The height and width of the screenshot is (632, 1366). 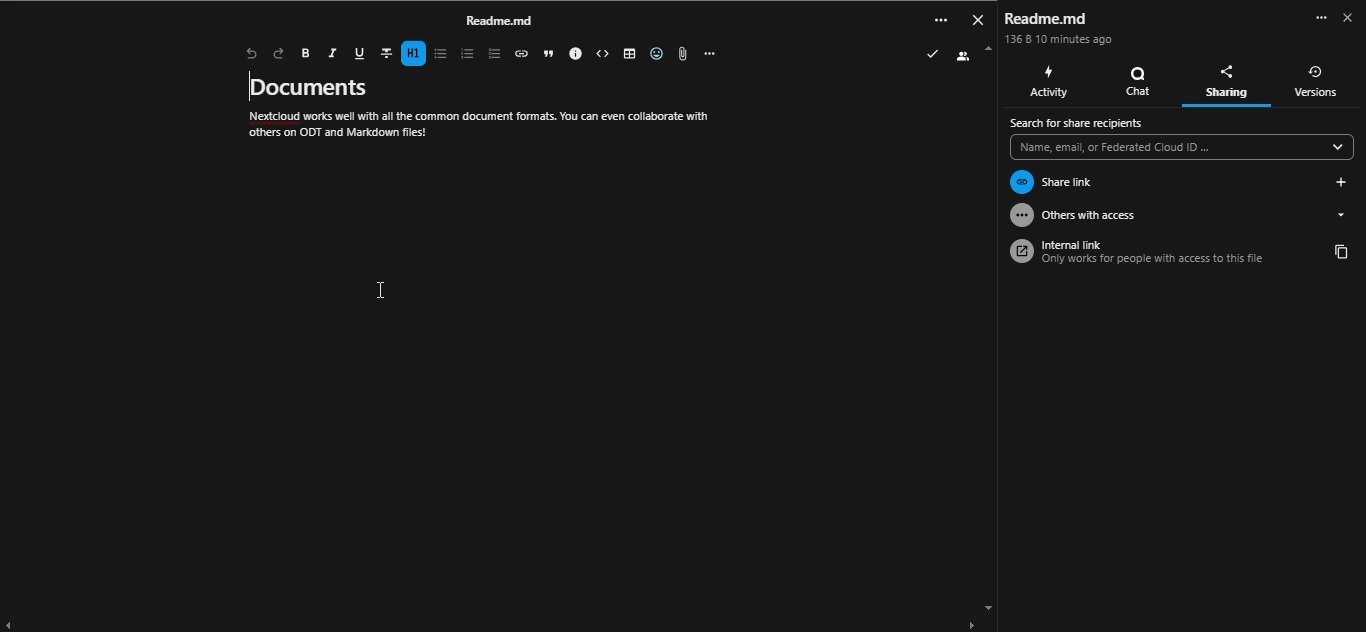 I want to click on bullet, so click(x=441, y=53).